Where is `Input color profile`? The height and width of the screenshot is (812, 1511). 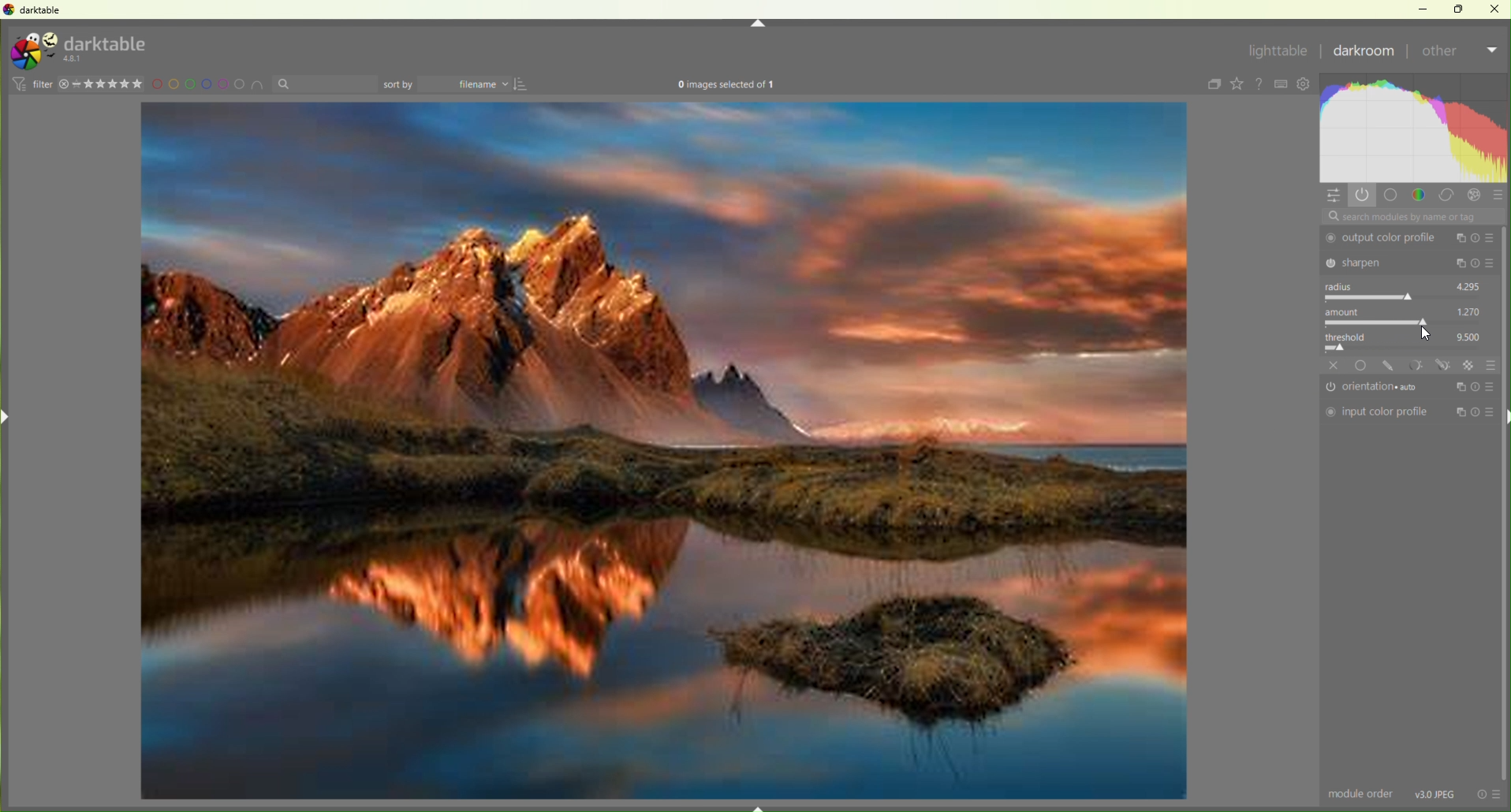
Input color profile is located at coordinates (1377, 412).